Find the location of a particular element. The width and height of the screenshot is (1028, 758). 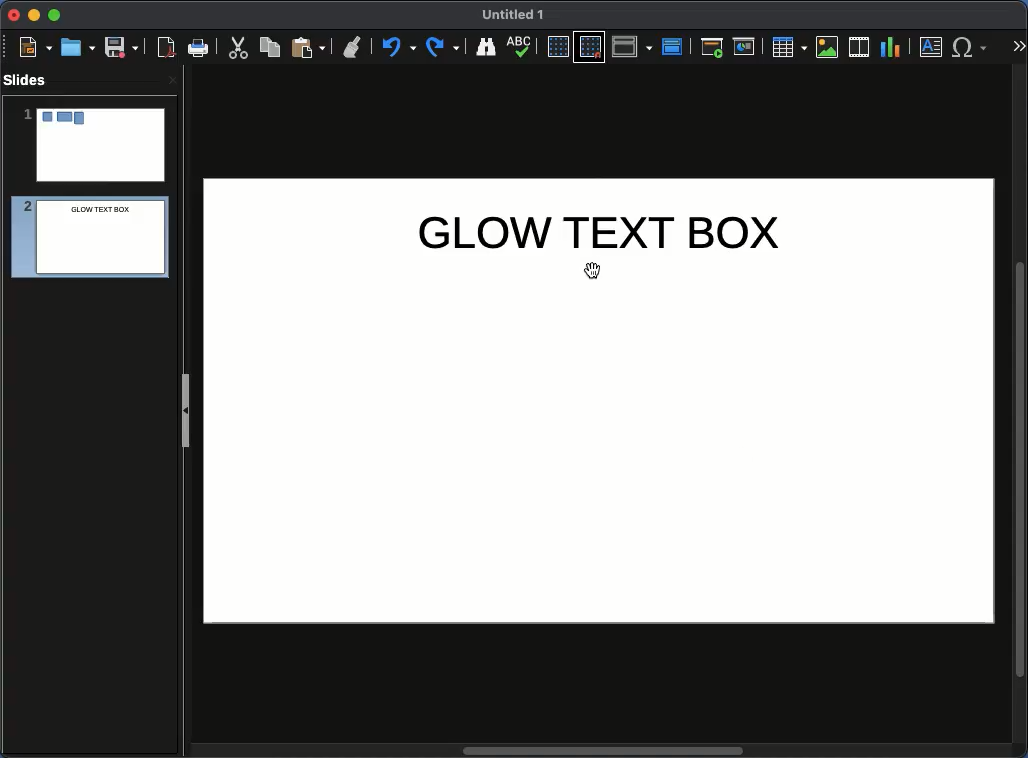

Close is located at coordinates (172, 79).